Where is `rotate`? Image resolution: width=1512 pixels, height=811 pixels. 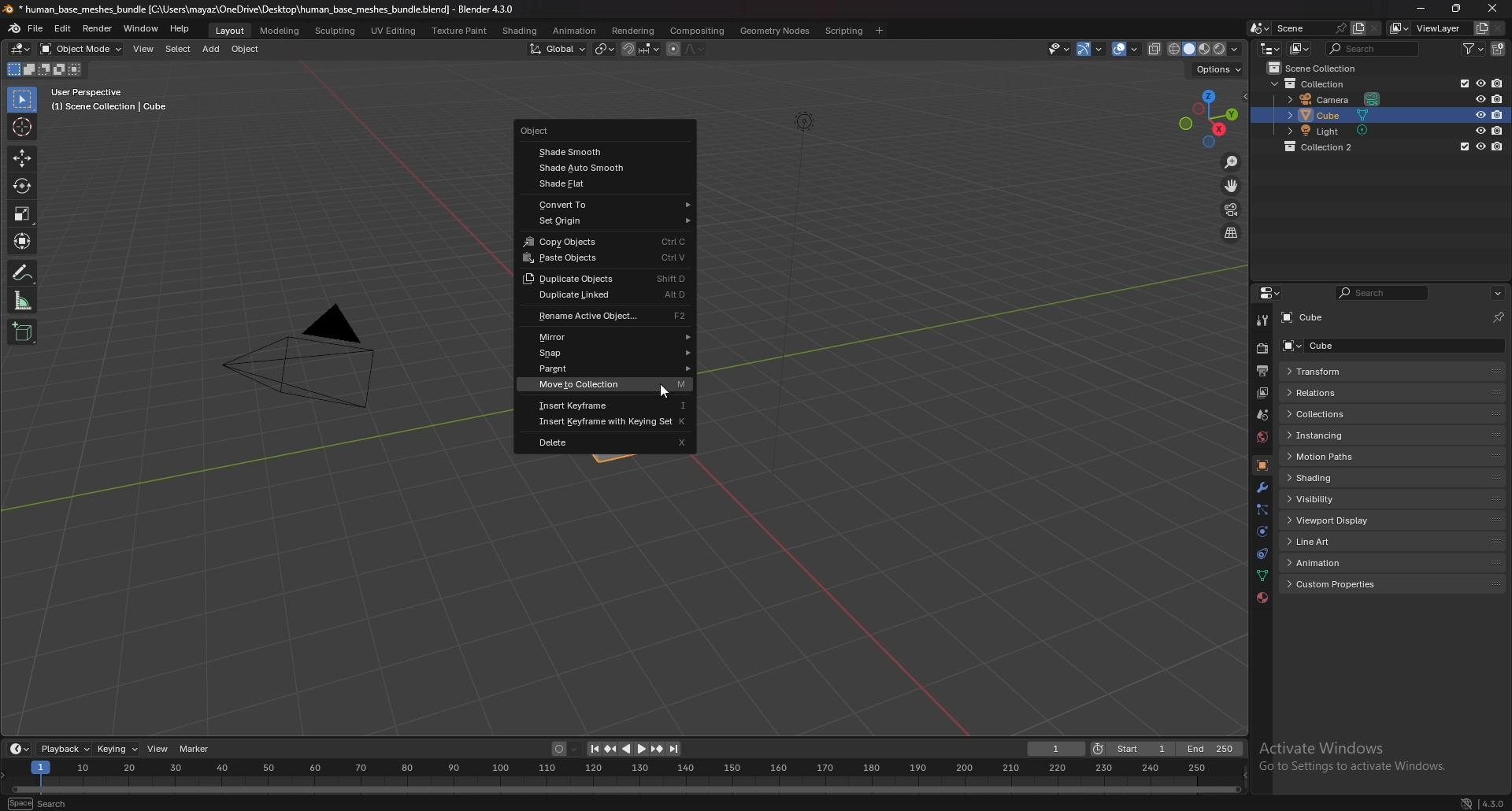
rotate is located at coordinates (23, 185).